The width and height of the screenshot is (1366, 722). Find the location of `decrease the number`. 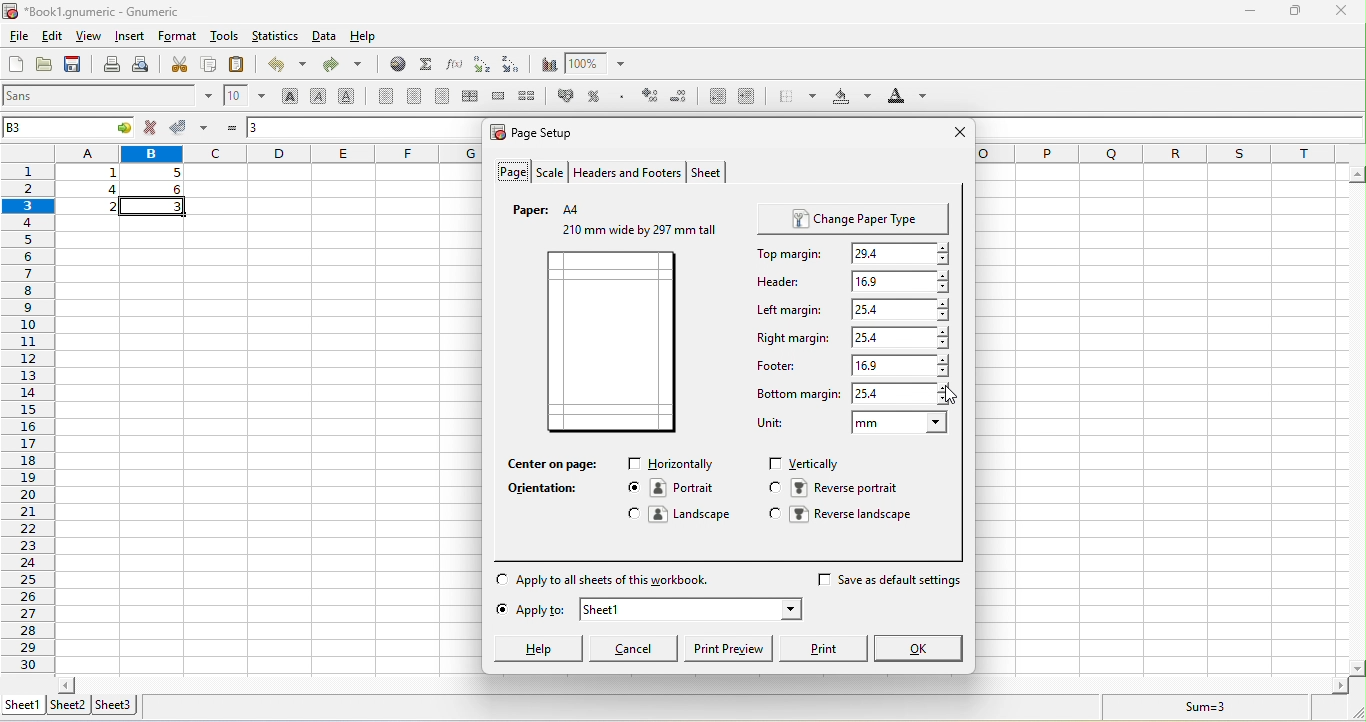

decrease the number is located at coordinates (681, 98).